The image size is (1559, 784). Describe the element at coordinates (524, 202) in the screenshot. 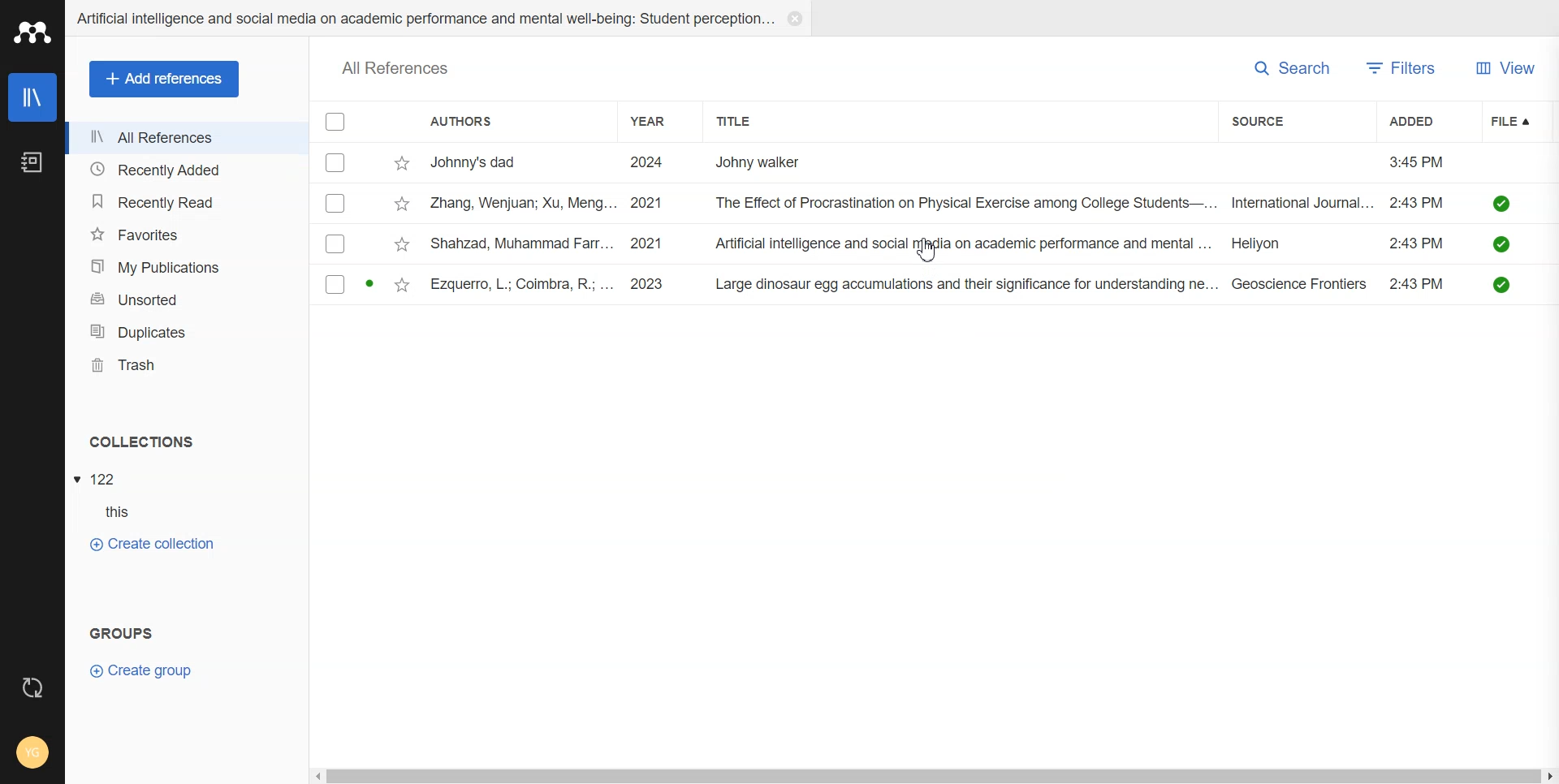

I see `zang, wenjuan; xu, meng...` at that location.